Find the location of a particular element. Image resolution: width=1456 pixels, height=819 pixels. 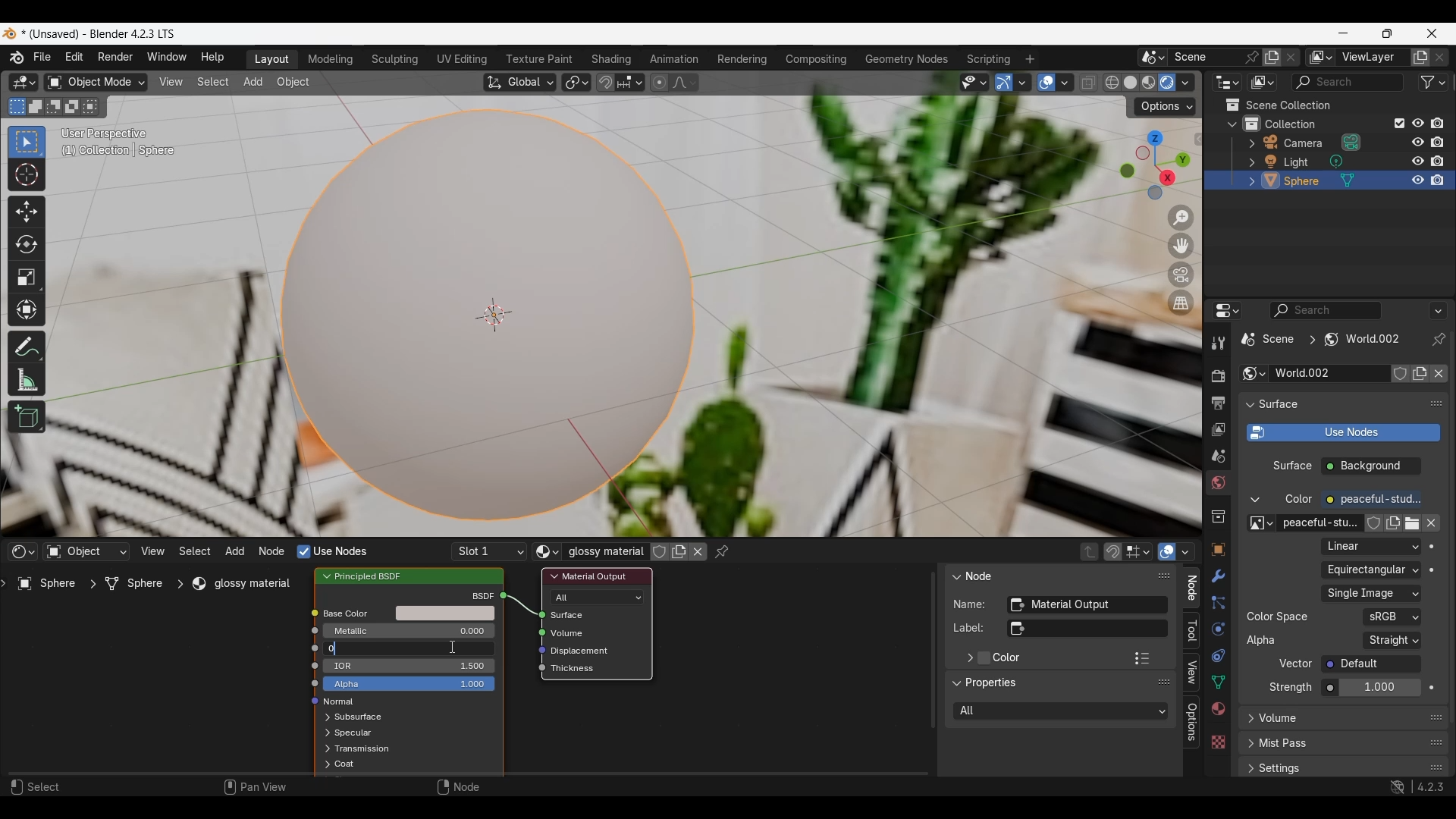

Show system preferences 'Network' panel to allow online access is located at coordinates (1398, 787).